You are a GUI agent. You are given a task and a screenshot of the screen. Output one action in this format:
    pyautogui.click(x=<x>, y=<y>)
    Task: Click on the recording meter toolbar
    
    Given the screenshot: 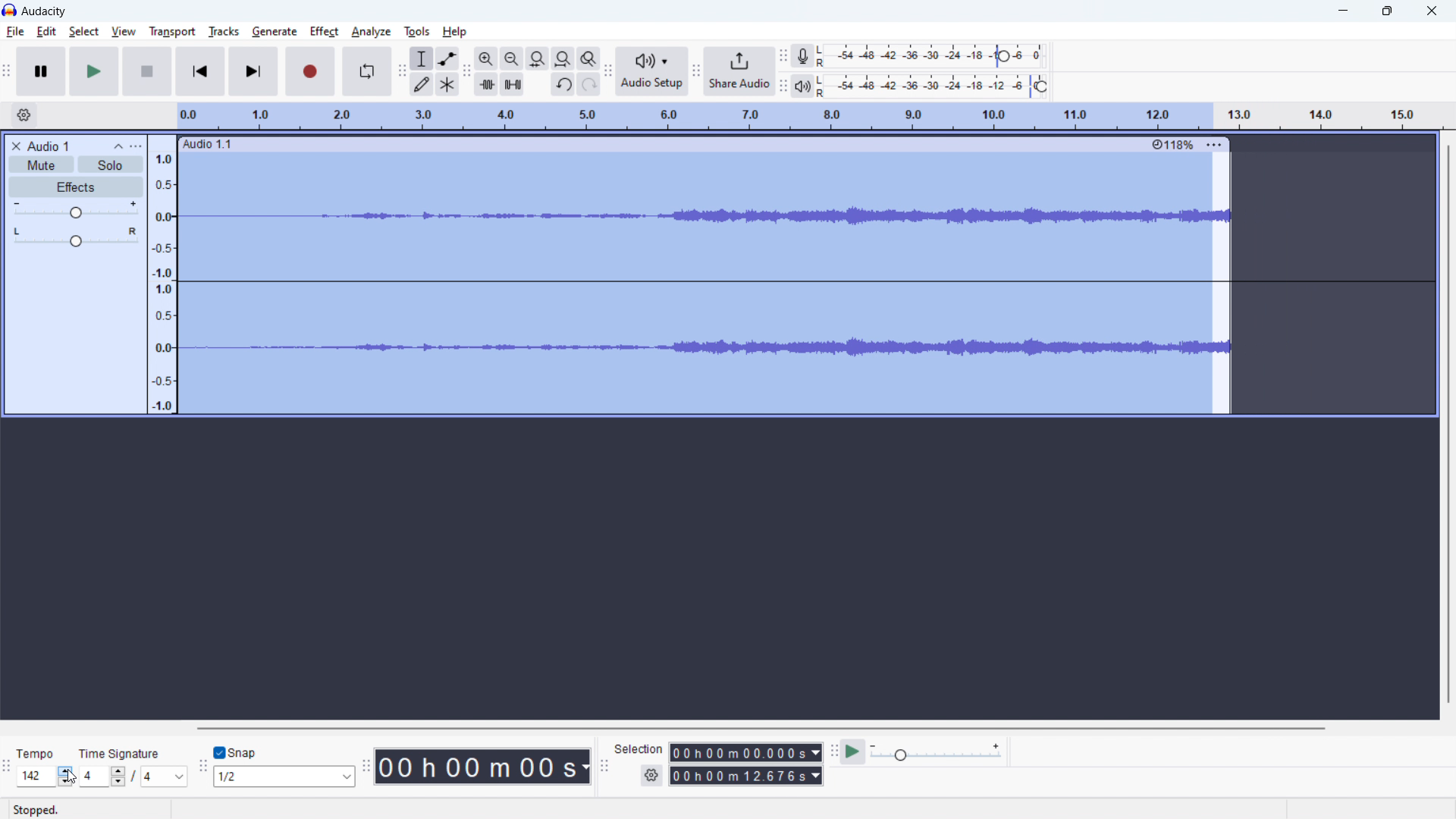 What is the action you would take?
    pyautogui.click(x=783, y=56)
    